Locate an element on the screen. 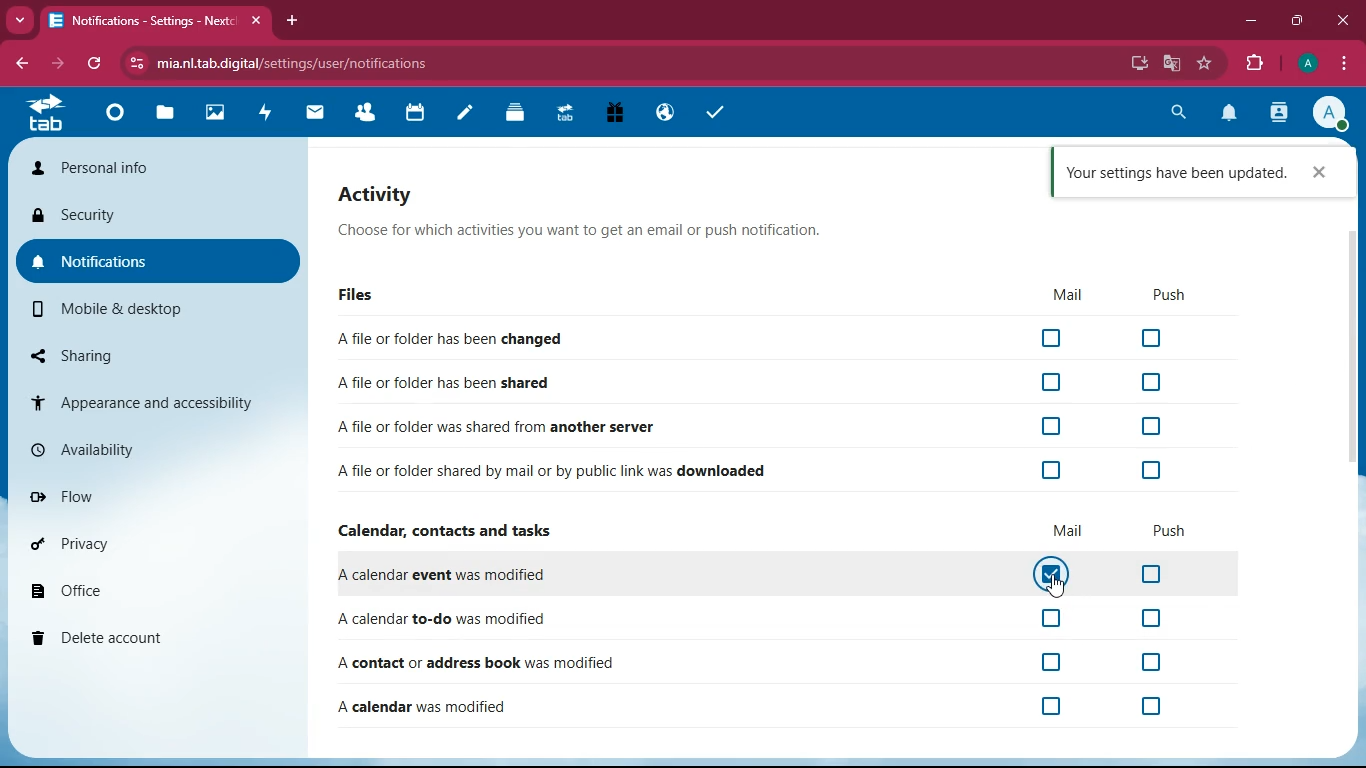  close is located at coordinates (1342, 22).